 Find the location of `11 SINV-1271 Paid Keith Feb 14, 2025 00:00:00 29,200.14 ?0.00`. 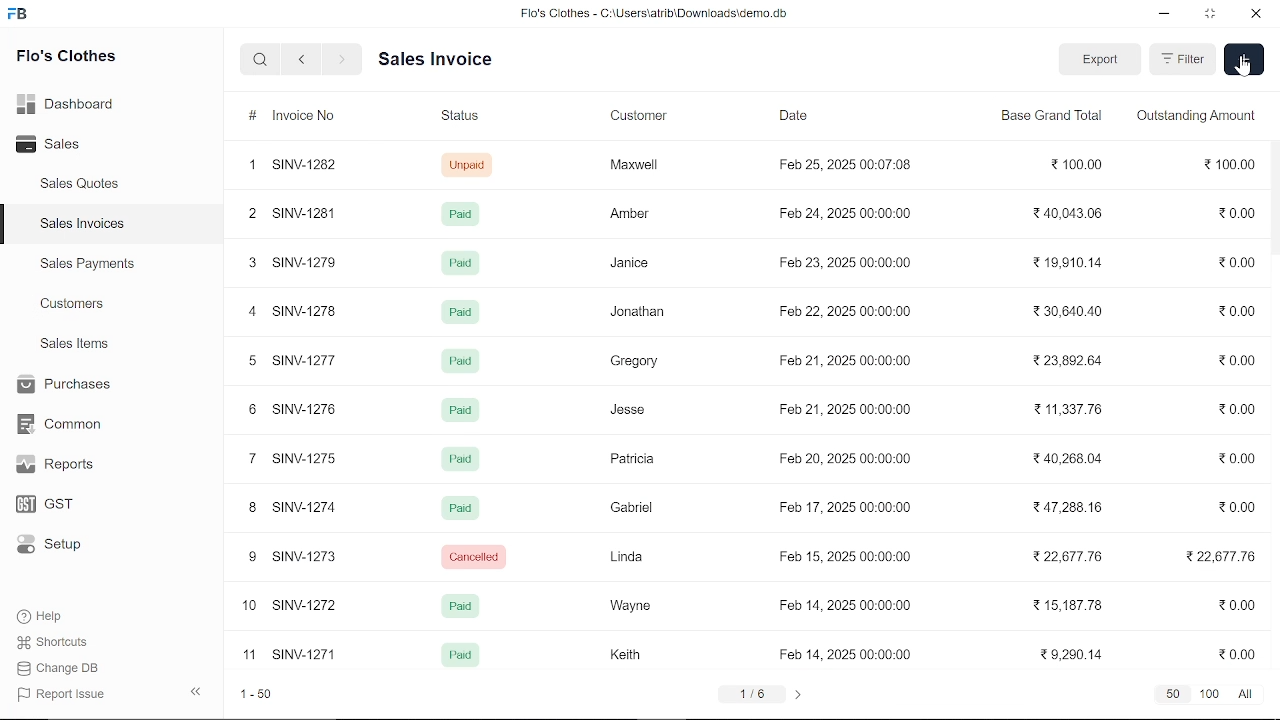

11 SINV-1271 Paid Keith Feb 14, 2025 00:00:00 29,200.14 ?0.00 is located at coordinates (750, 656).